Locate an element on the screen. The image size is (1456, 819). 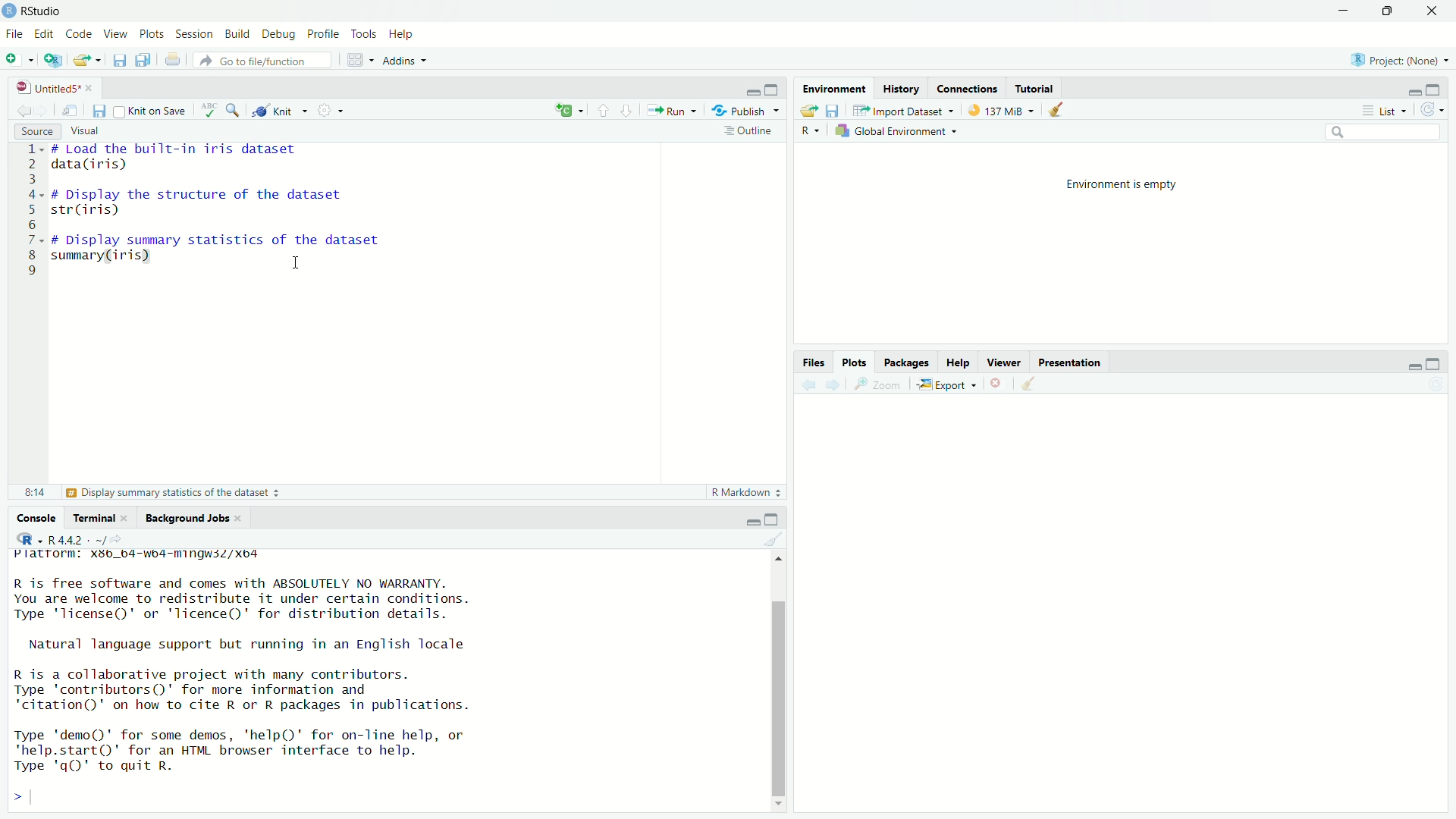
Help is located at coordinates (958, 361).